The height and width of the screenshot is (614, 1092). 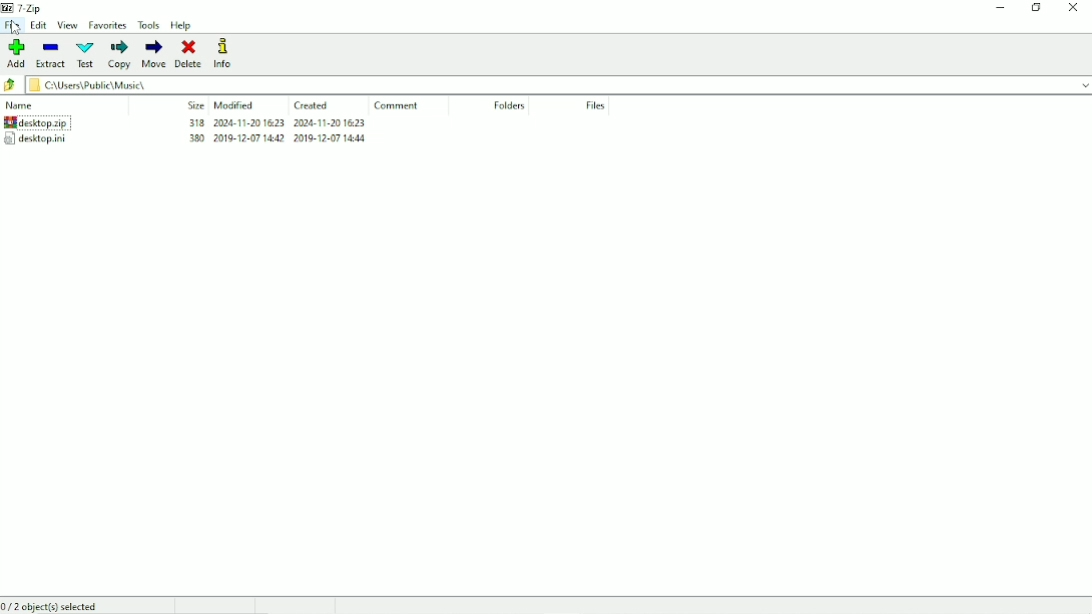 I want to click on Info, so click(x=226, y=54).